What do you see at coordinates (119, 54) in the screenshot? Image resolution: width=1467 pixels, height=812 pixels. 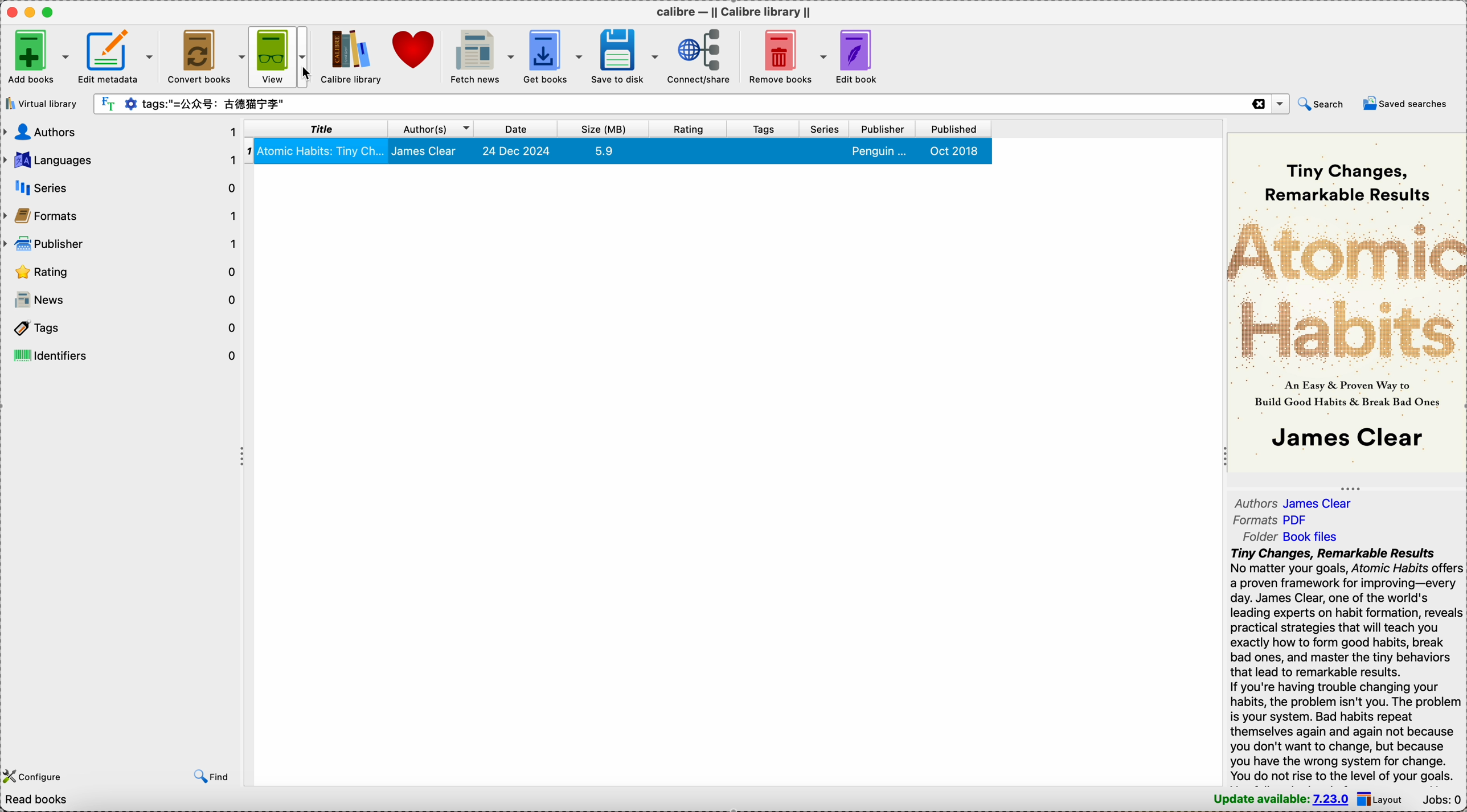 I see `edit metadata` at bounding box center [119, 54].